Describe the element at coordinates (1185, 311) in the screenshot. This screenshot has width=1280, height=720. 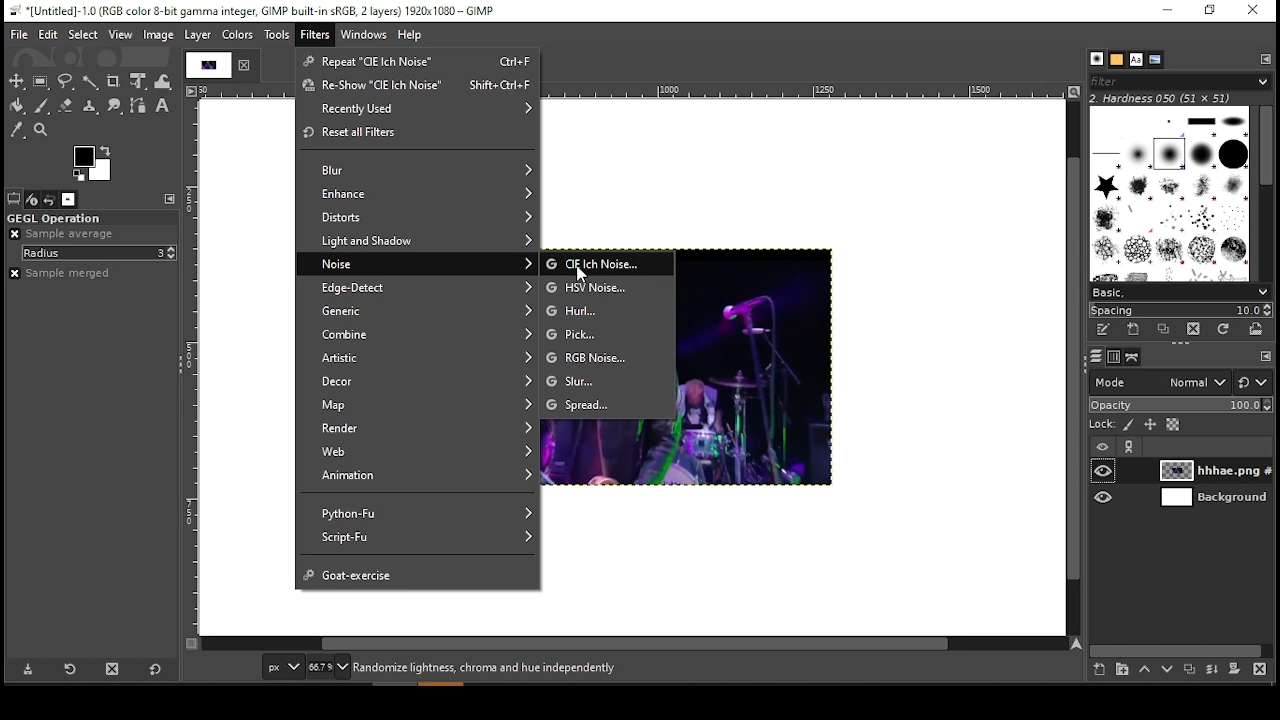
I see `spacing` at that location.